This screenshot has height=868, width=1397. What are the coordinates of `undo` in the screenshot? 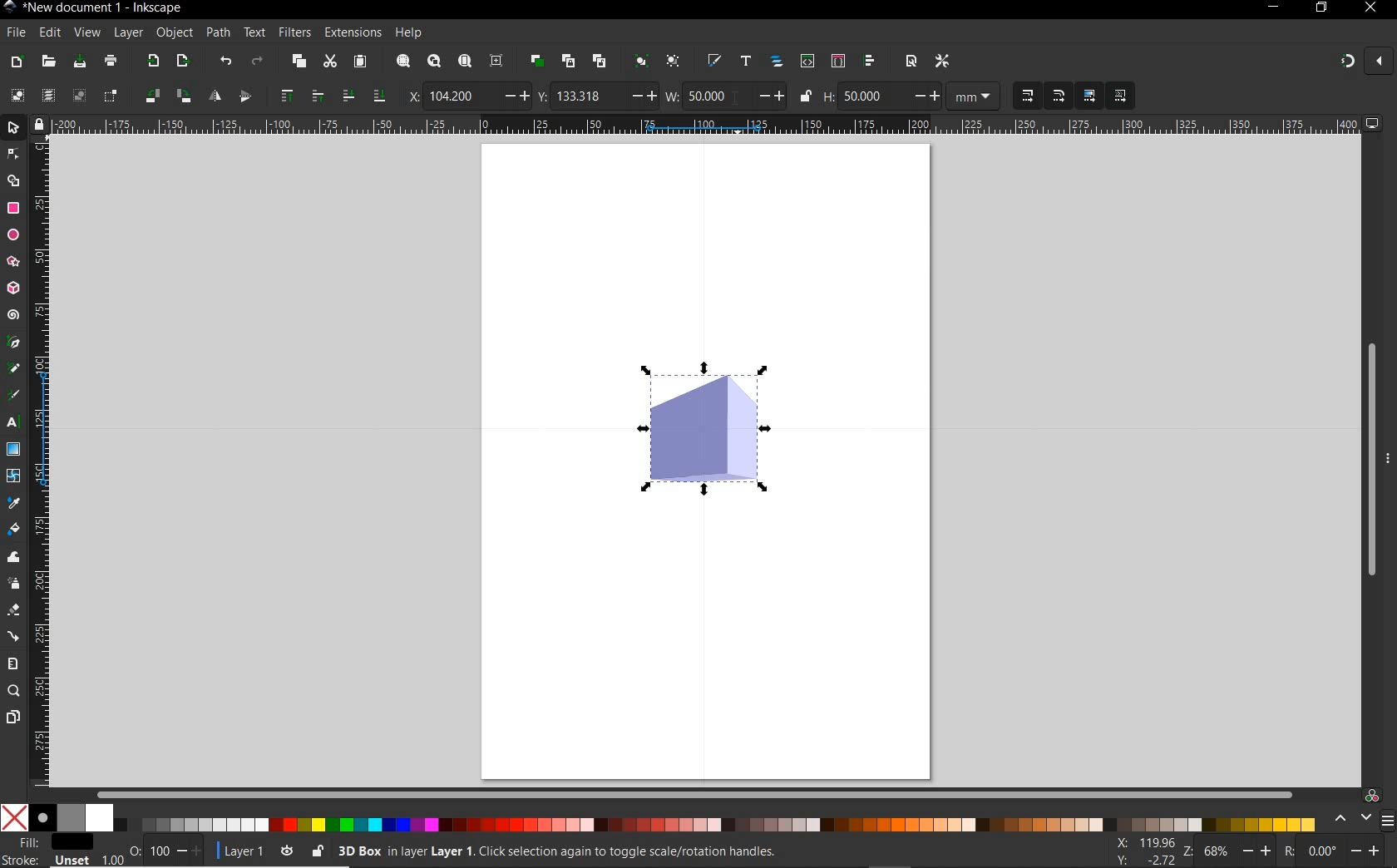 It's located at (225, 61).